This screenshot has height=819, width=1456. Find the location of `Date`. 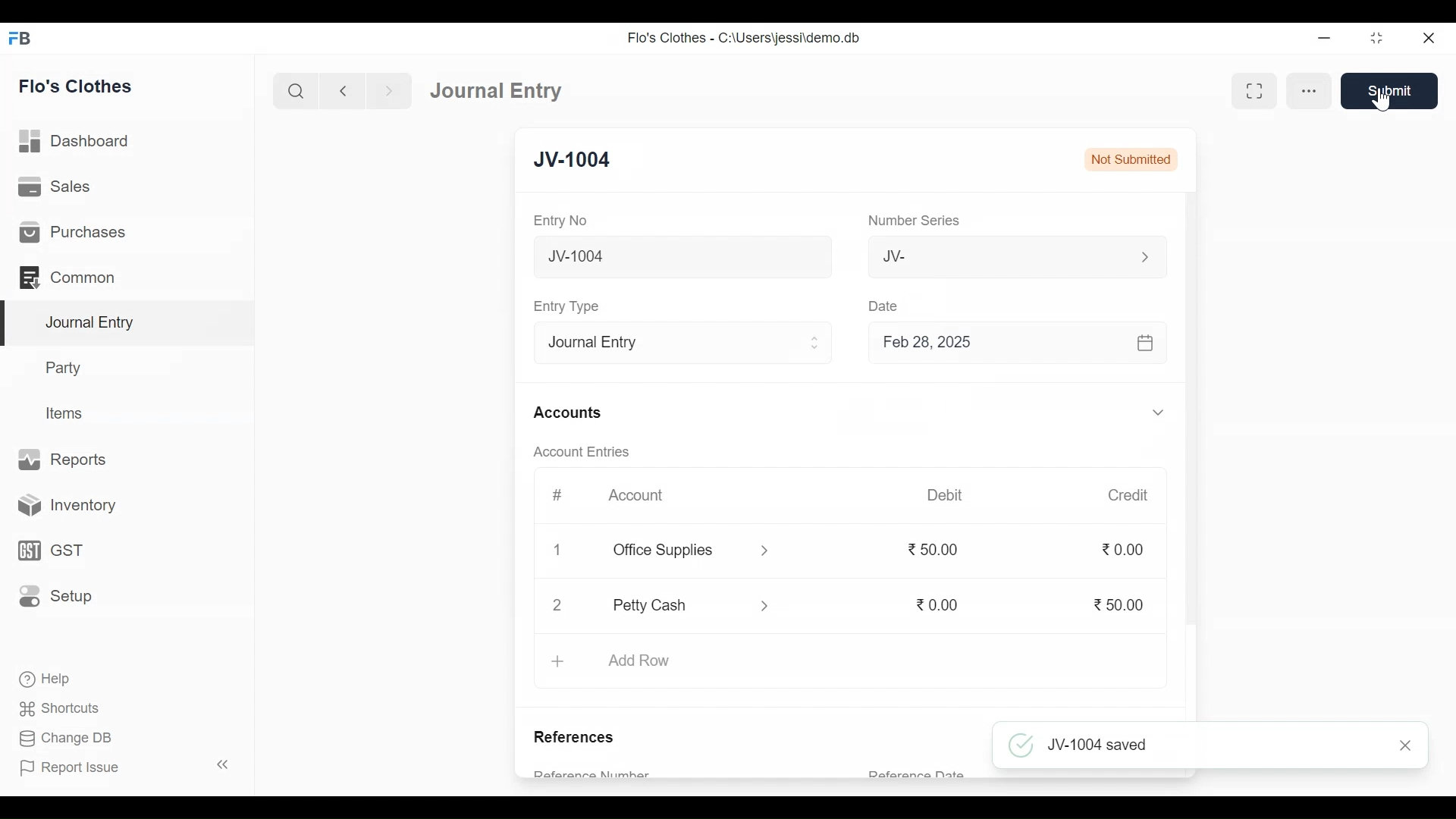

Date is located at coordinates (888, 307).